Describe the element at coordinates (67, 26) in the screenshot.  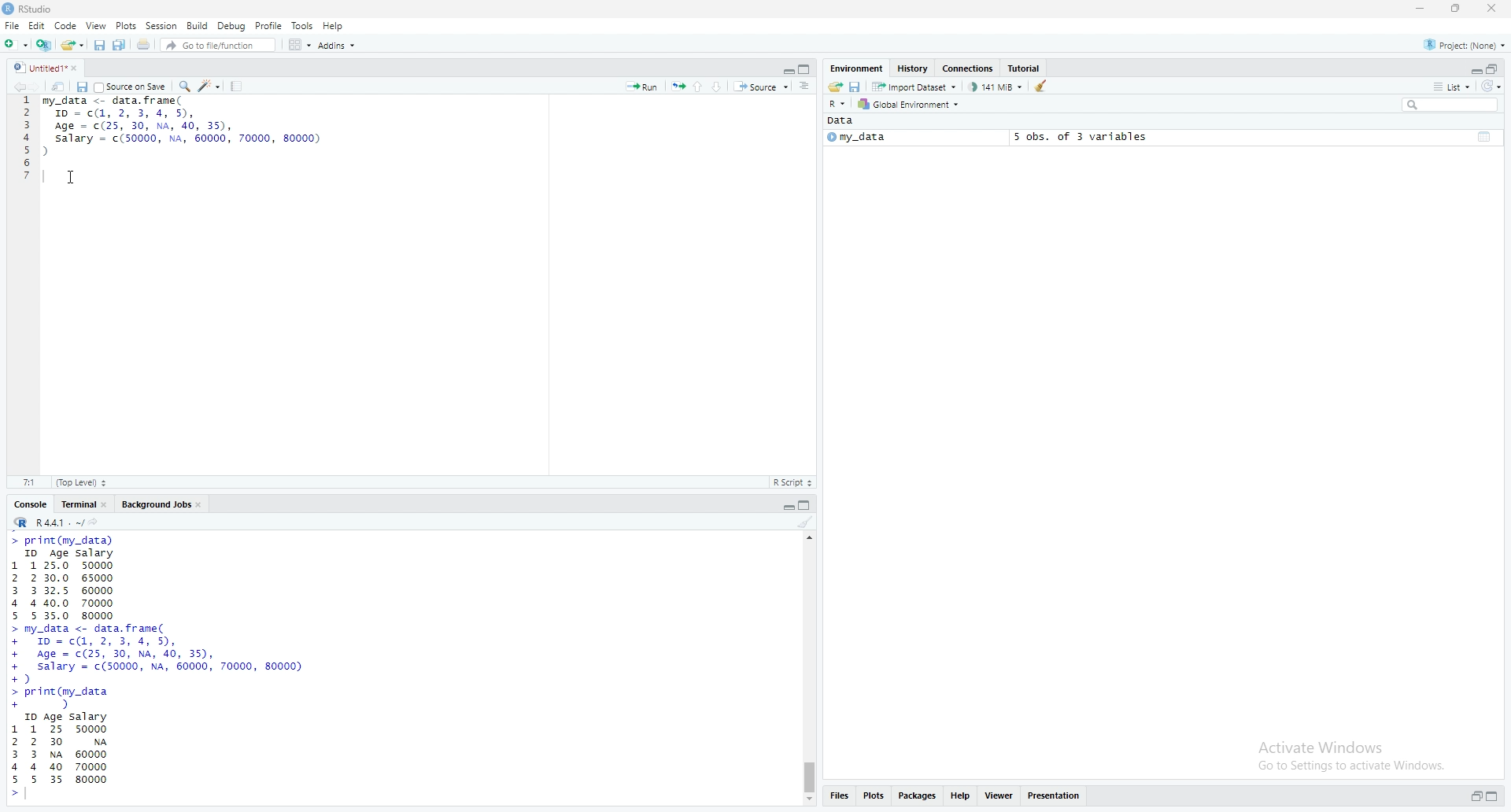
I see `Code` at that location.